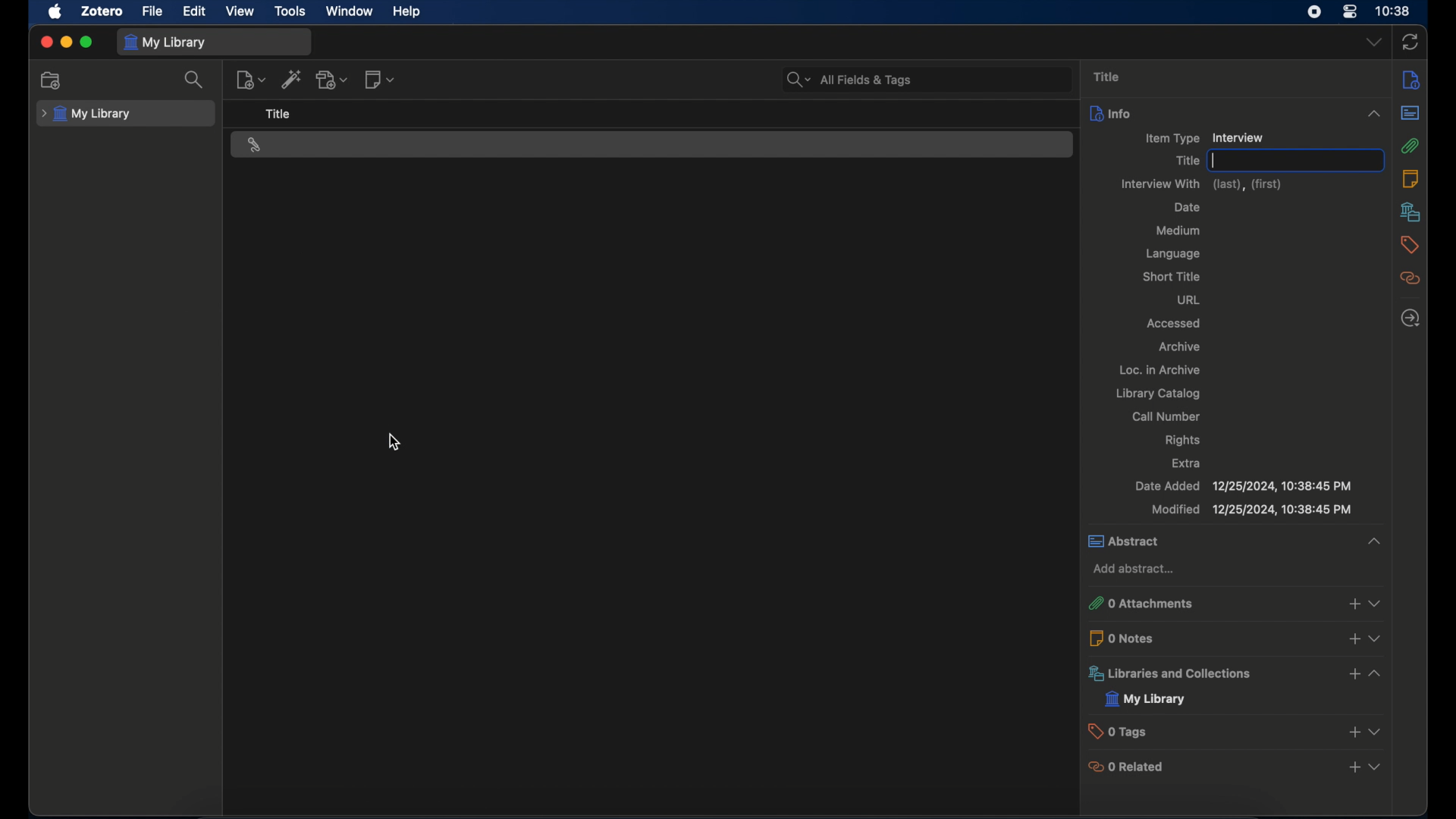 This screenshot has height=819, width=1456. What do you see at coordinates (1238, 113) in the screenshot?
I see `info` at bounding box center [1238, 113].